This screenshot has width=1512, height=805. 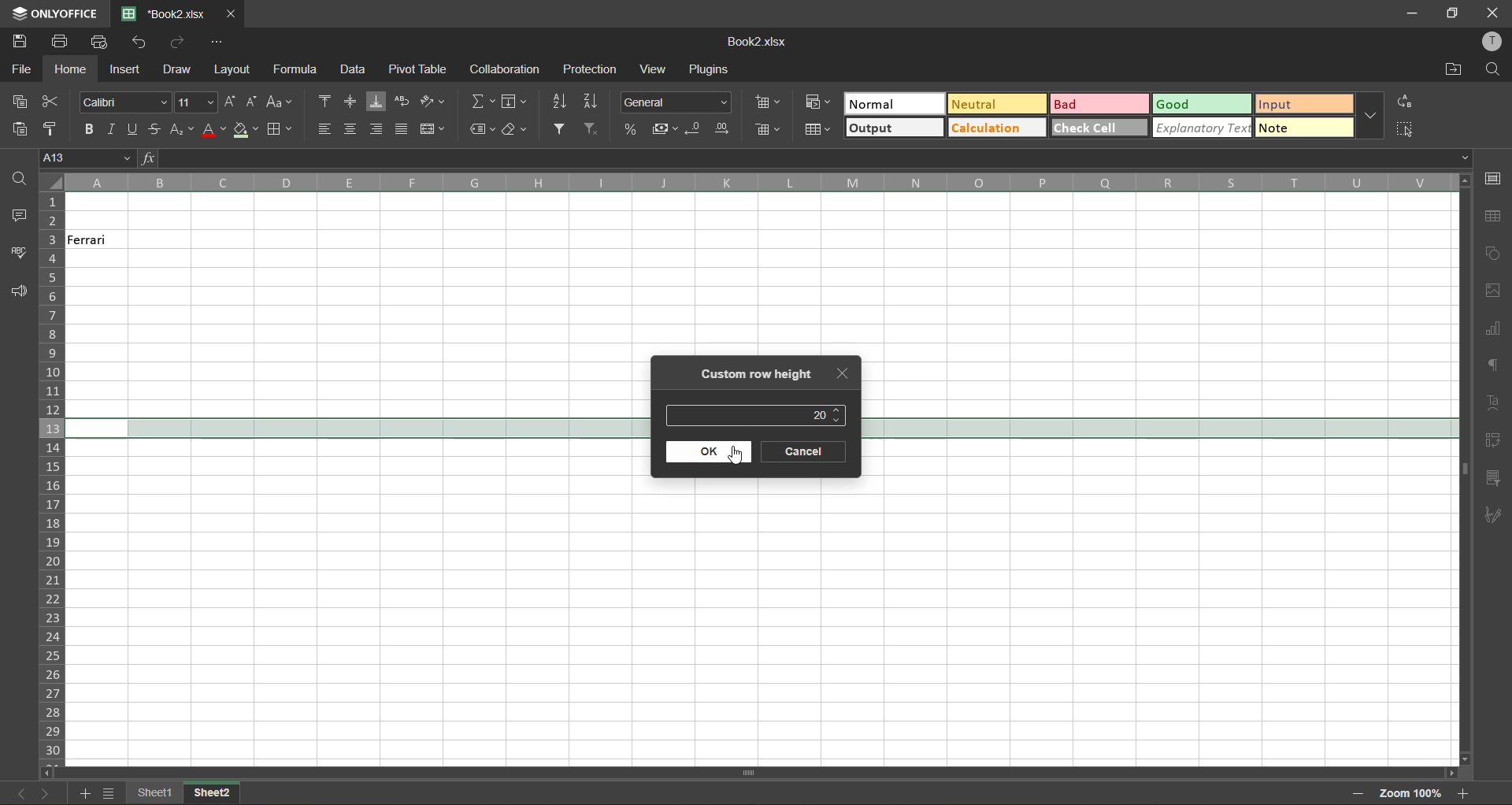 What do you see at coordinates (253, 102) in the screenshot?
I see `decrement size` at bounding box center [253, 102].